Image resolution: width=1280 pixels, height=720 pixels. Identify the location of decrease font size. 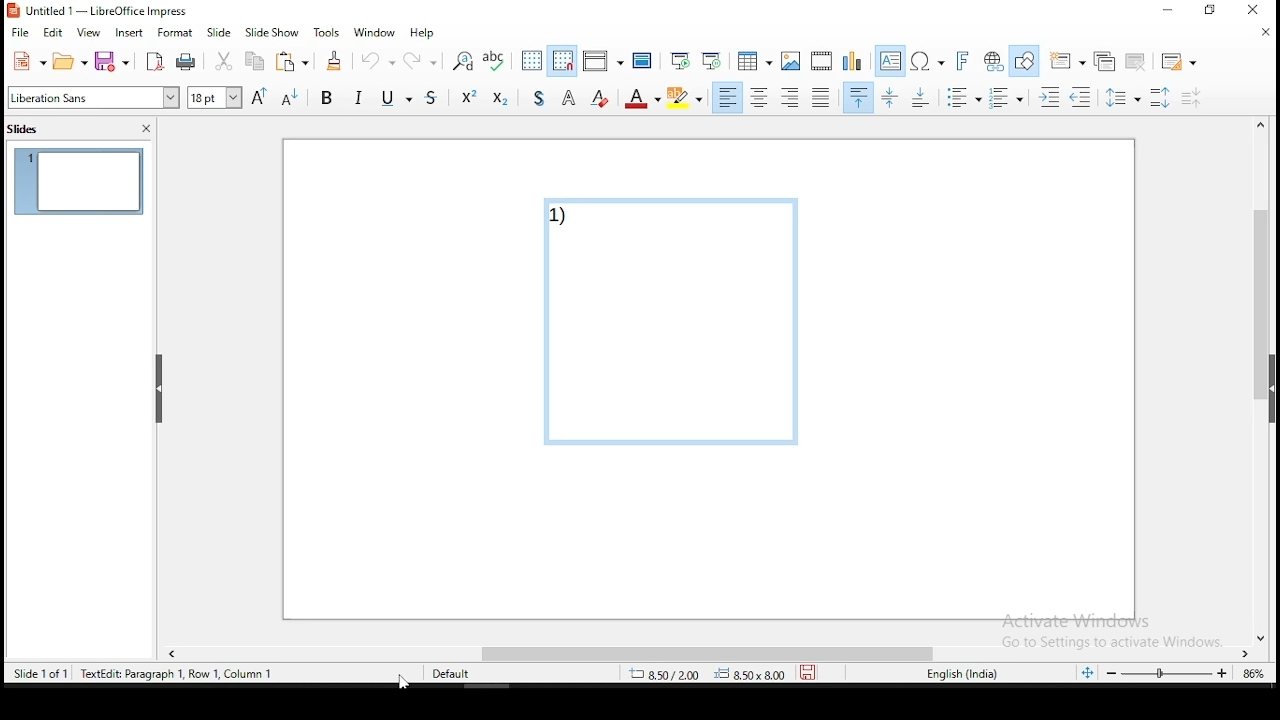
(291, 99).